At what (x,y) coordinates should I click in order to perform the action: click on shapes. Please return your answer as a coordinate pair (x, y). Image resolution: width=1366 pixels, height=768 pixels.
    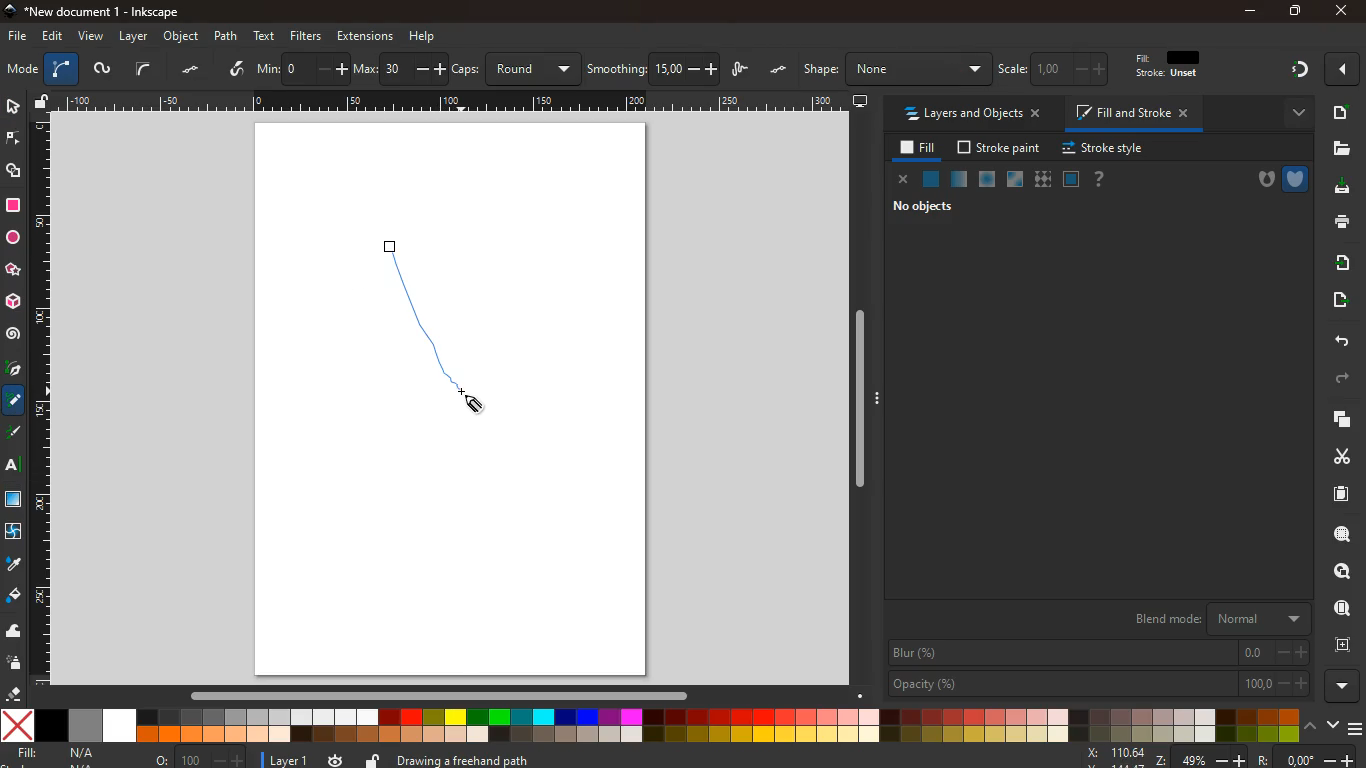
    Looking at the image, I should click on (15, 172).